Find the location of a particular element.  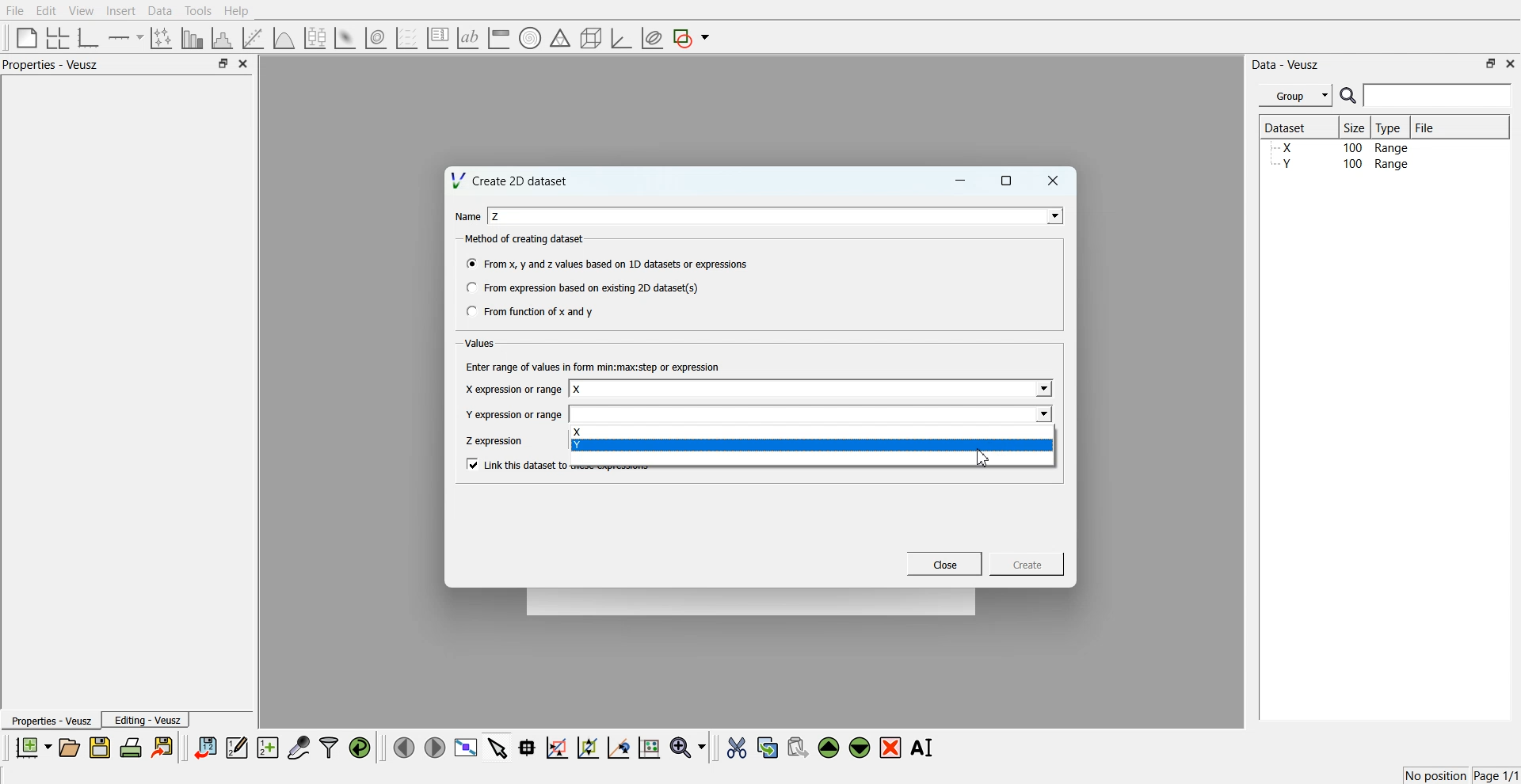

Cut the selected widget is located at coordinates (737, 748).